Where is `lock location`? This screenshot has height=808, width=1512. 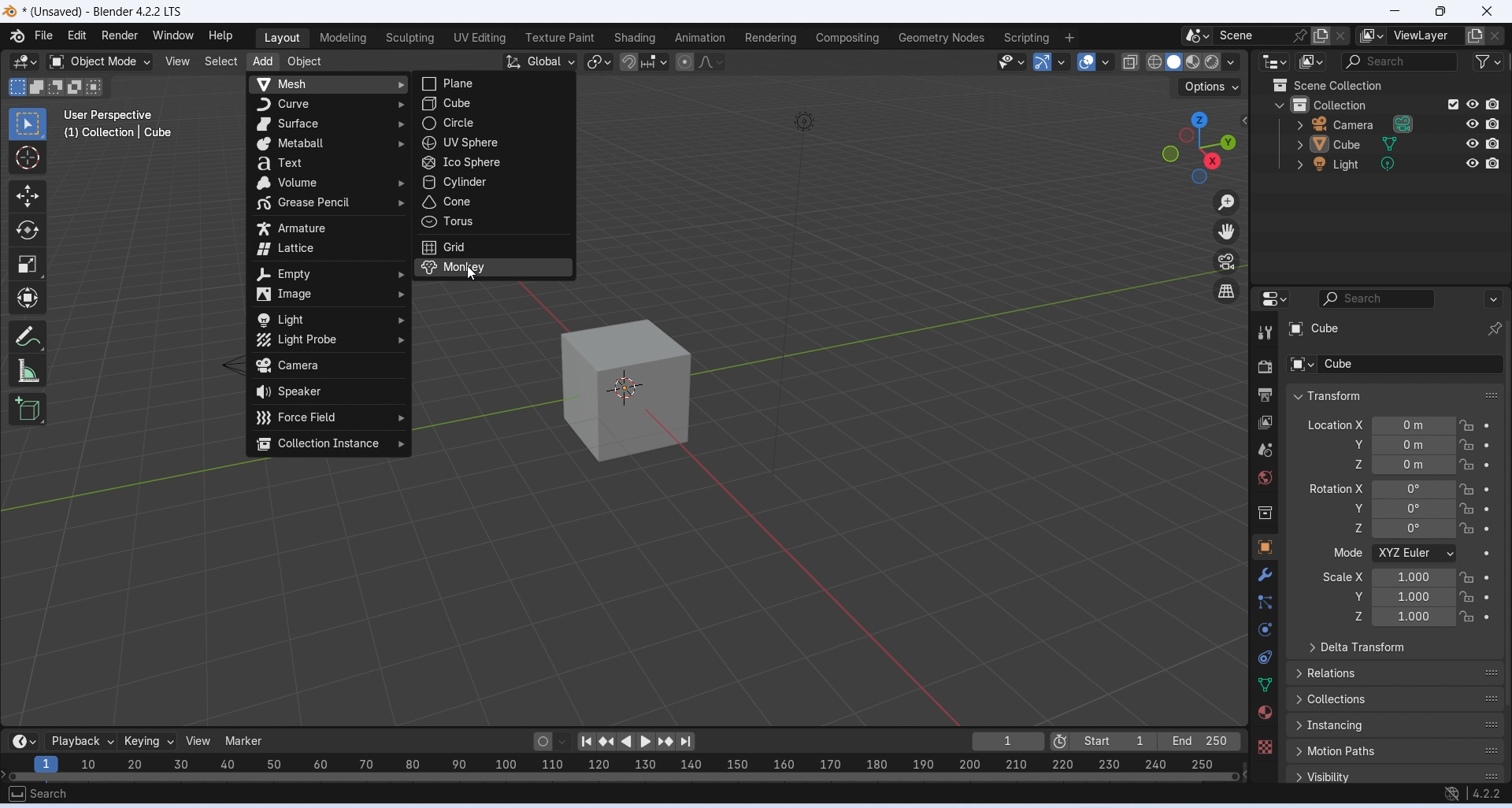
lock location is located at coordinates (1466, 445).